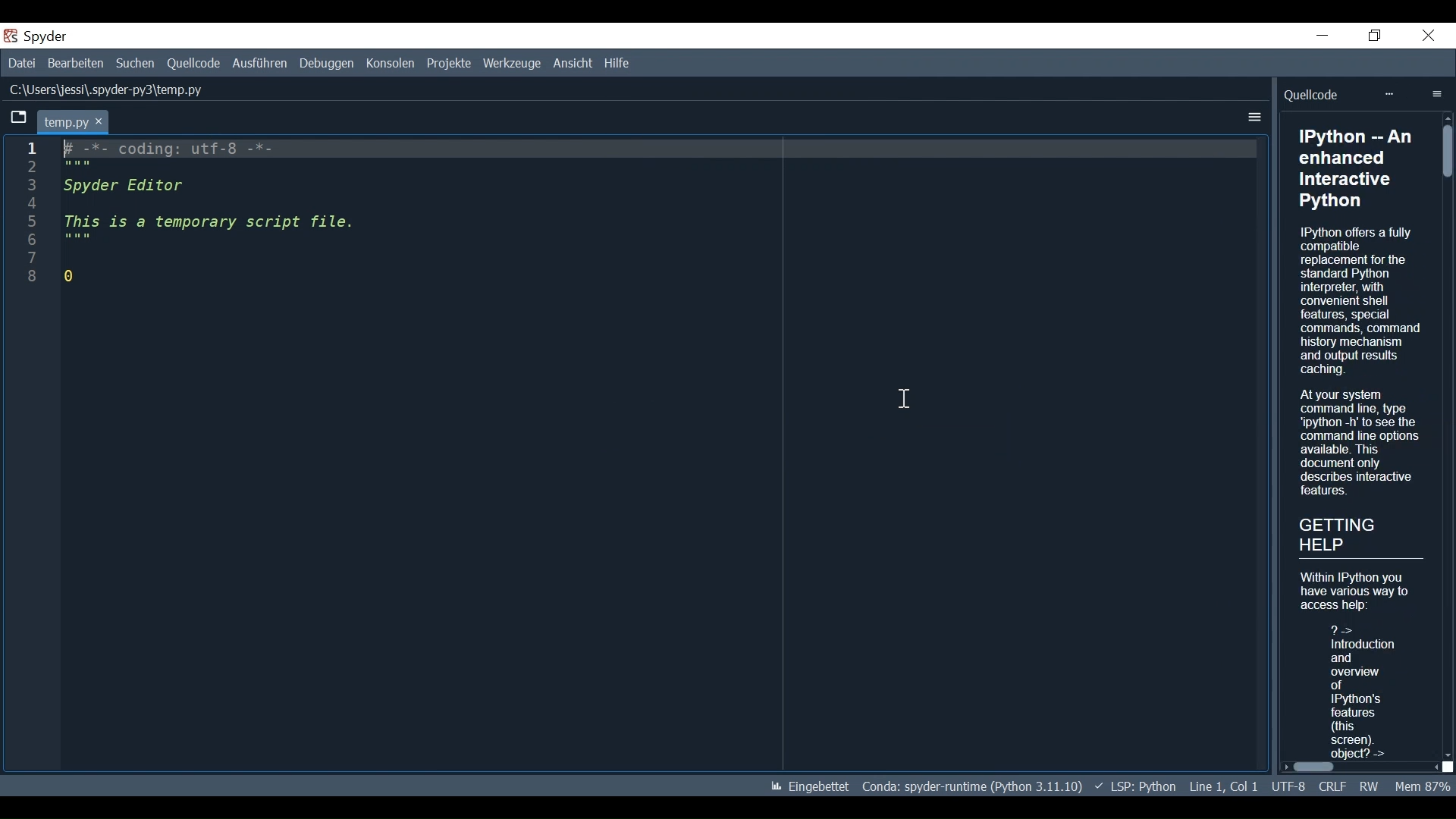 The image size is (1456, 819). I want to click on temp.py, so click(74, 121).